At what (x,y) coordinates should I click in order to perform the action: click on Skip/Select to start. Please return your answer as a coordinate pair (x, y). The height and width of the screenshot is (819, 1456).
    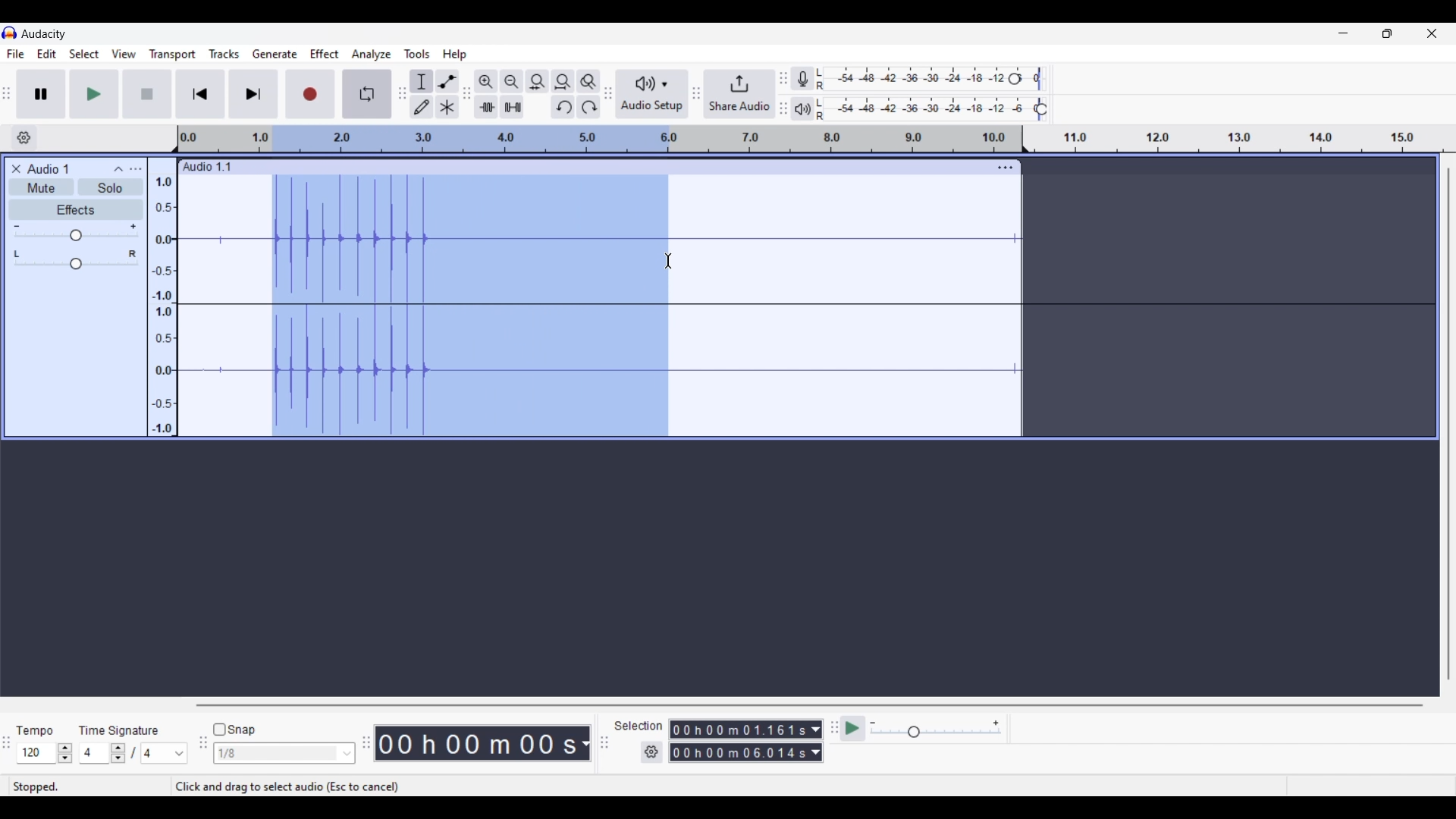
    Looking at the image, I should click on (201, 93).